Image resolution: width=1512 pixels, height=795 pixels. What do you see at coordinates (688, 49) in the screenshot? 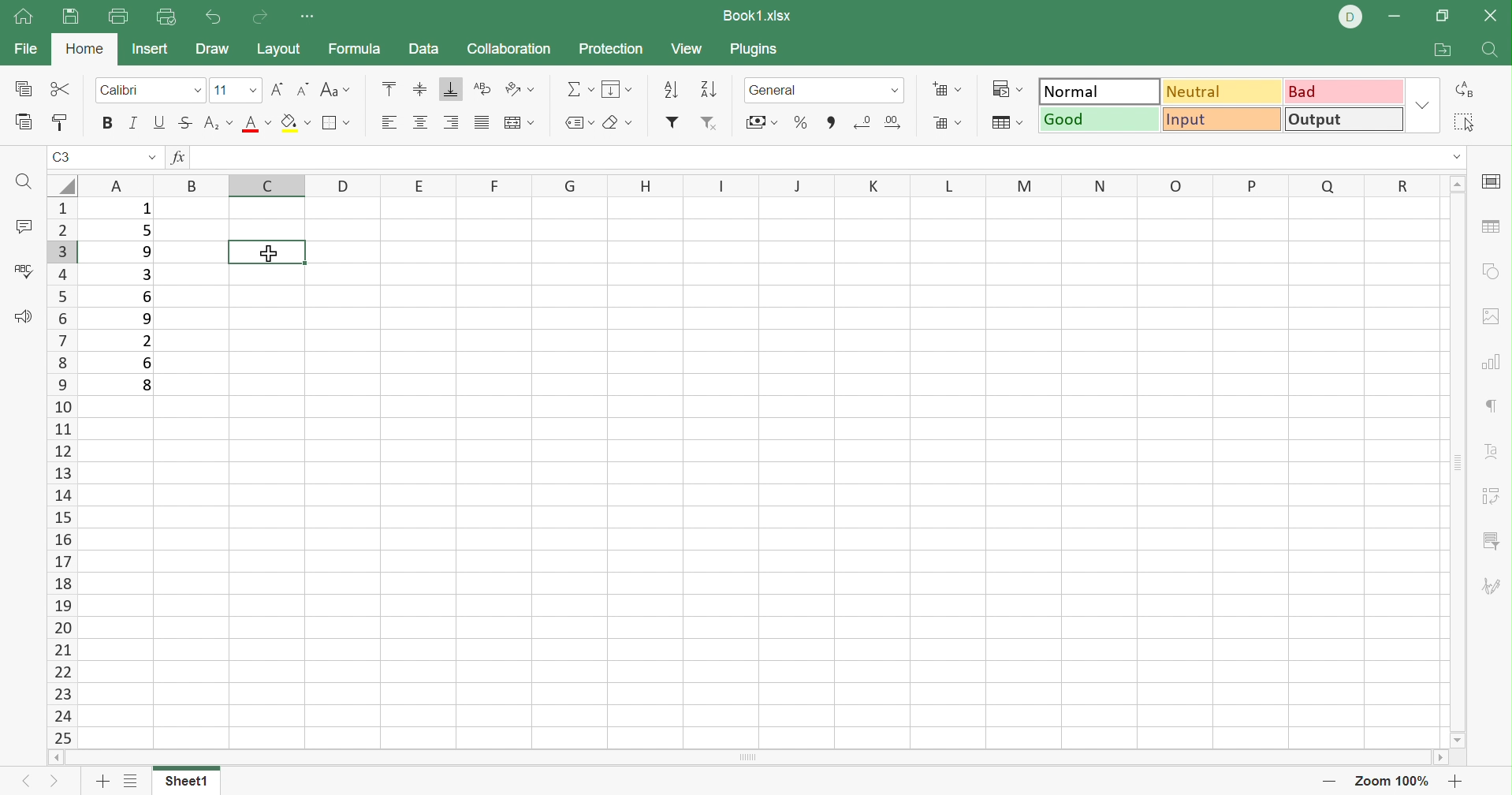
I see `View` at bounding box center [688, 49].